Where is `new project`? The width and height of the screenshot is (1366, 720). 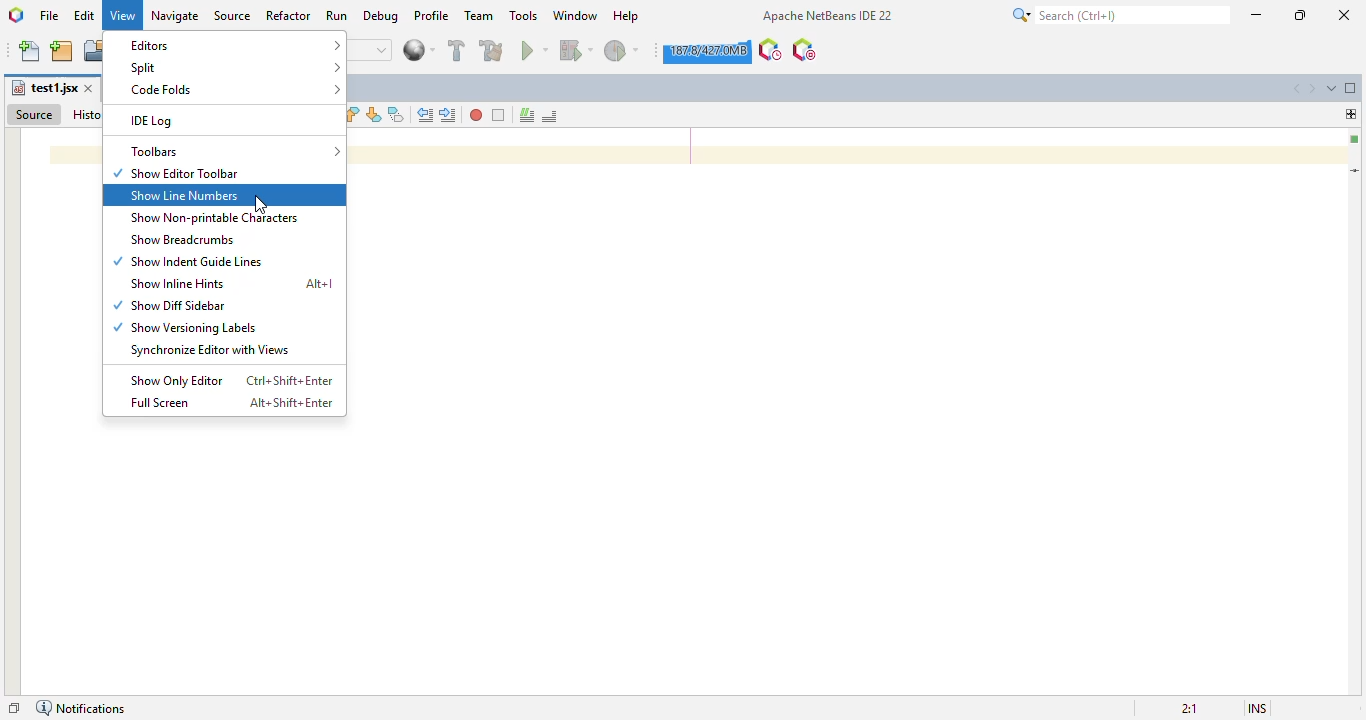 new project is located at coordinates (62, 51).